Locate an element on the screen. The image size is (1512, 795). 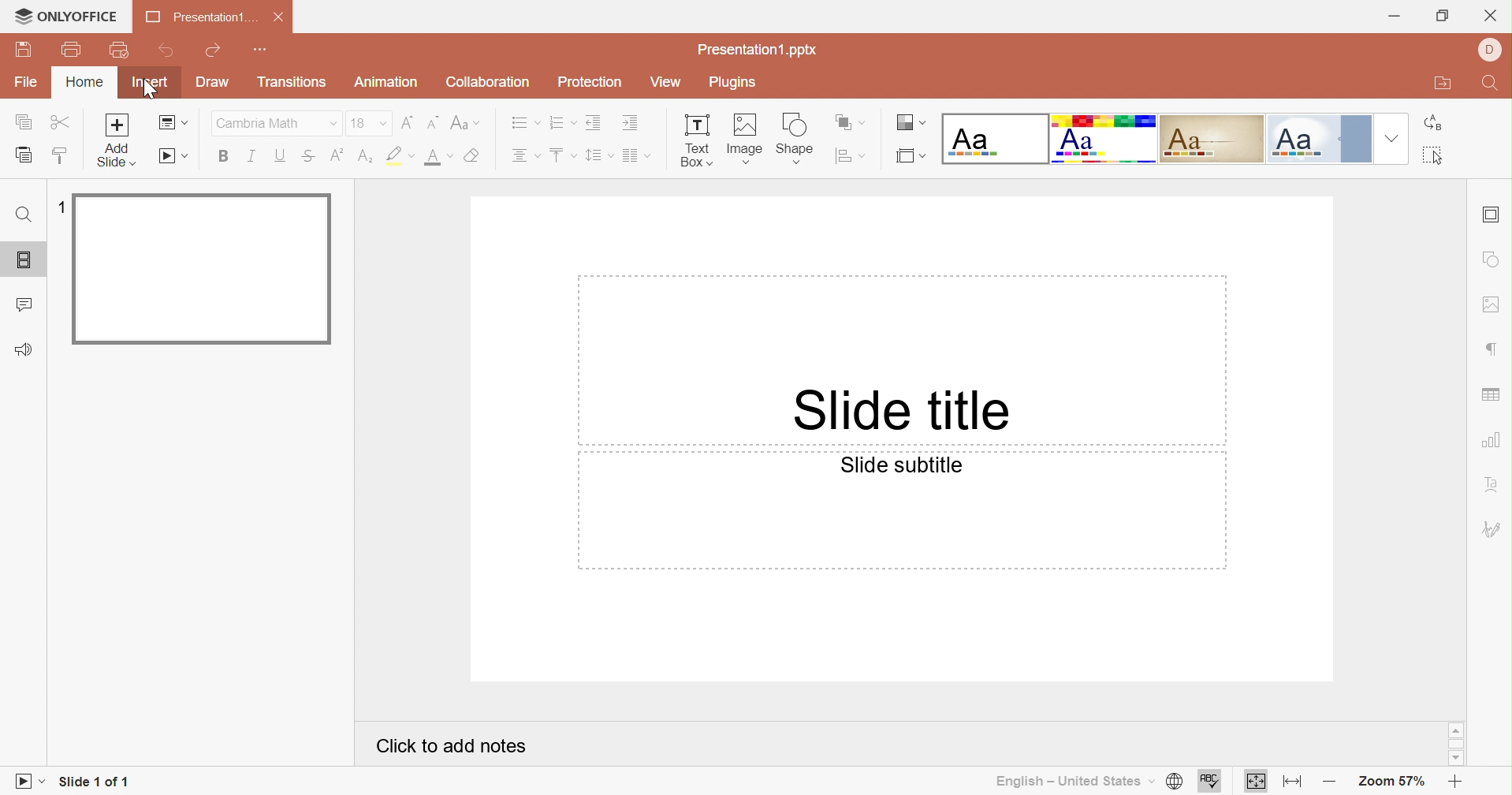
Click to add notes is located at coordinates (449, 745).